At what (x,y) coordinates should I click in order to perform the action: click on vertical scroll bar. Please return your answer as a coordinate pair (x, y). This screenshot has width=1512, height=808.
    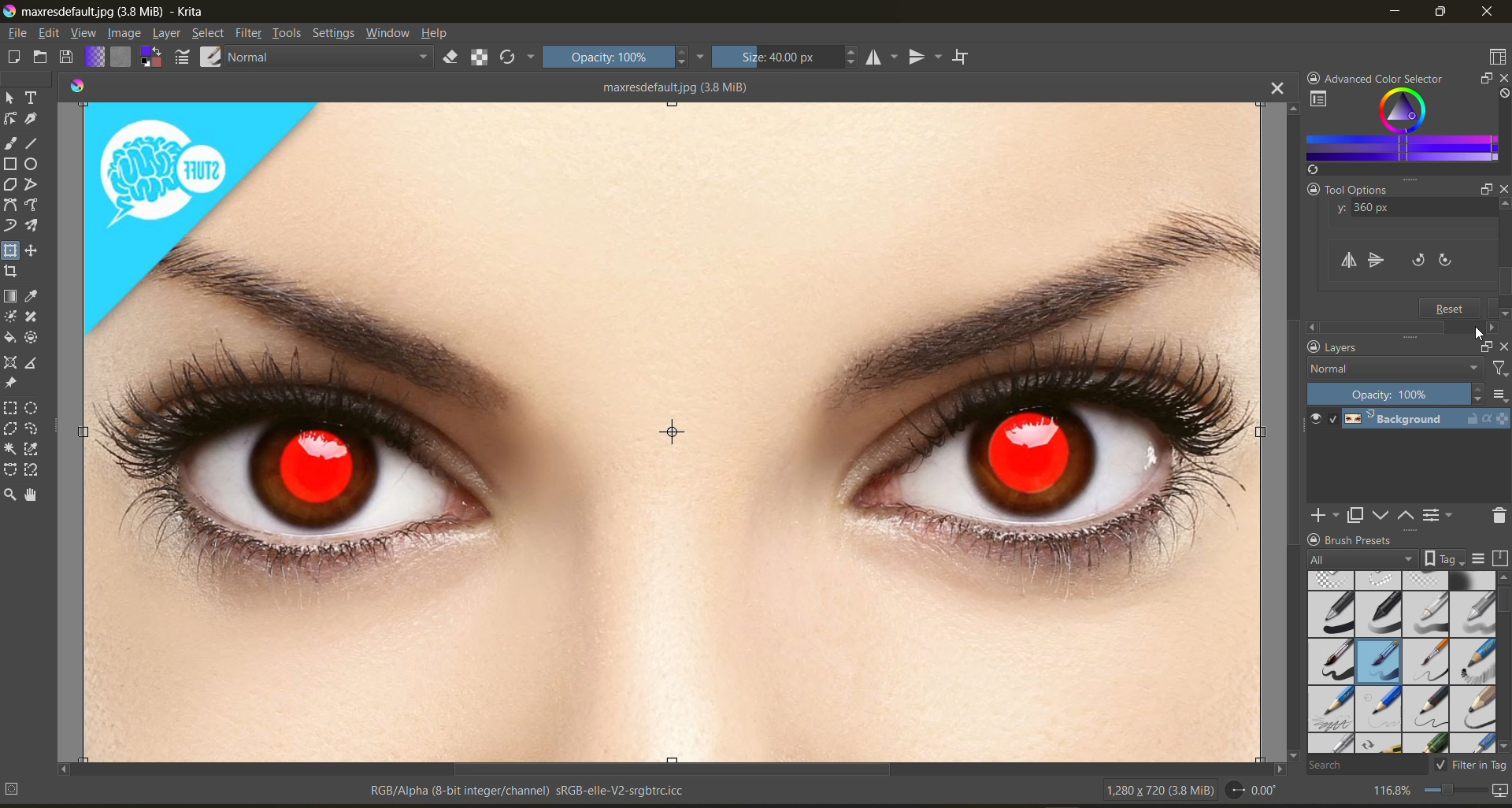
    Looking at the image, I should click on (1289, 431).